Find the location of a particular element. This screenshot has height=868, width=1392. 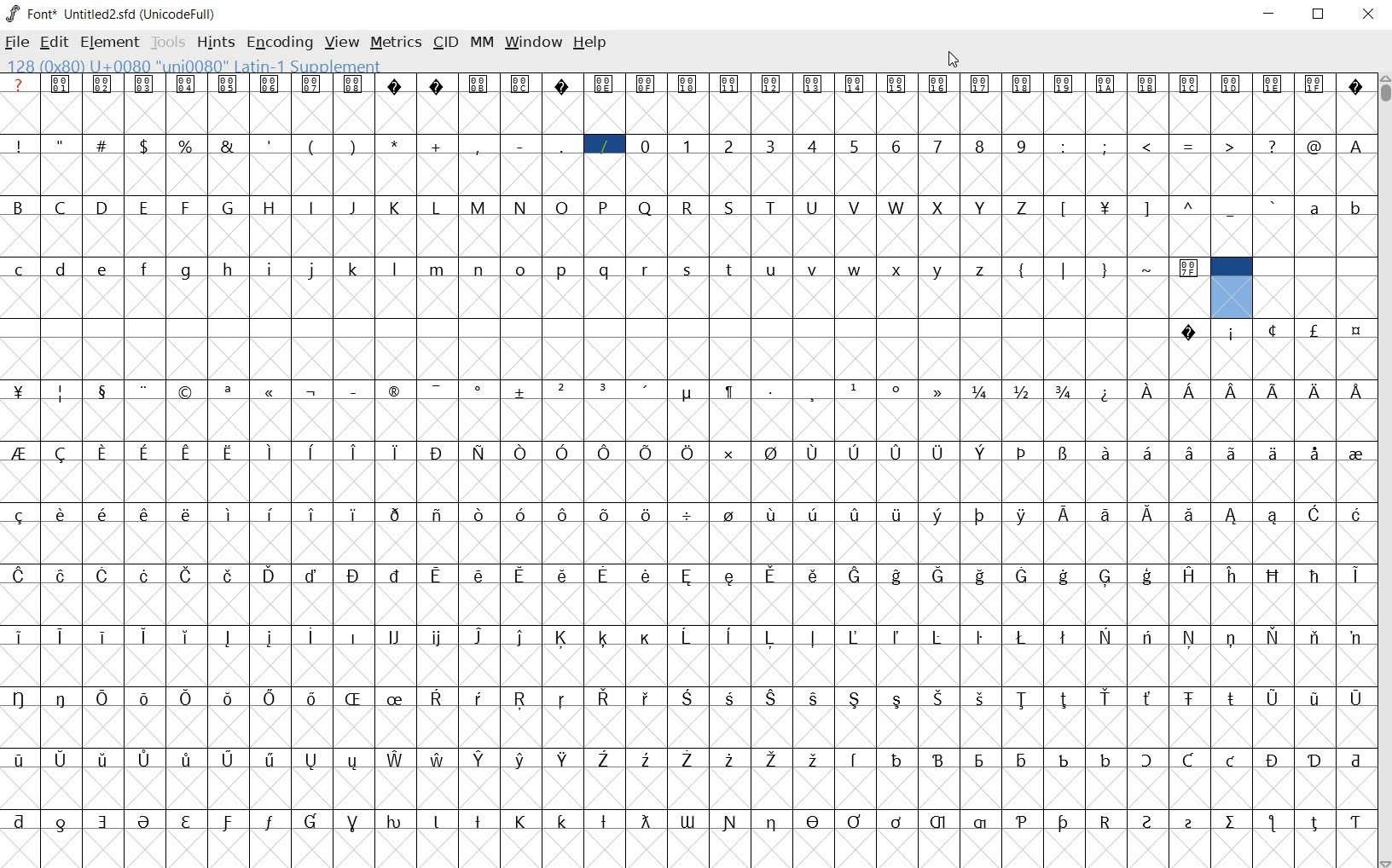

Symbol is located at coordinates (1066, 698).